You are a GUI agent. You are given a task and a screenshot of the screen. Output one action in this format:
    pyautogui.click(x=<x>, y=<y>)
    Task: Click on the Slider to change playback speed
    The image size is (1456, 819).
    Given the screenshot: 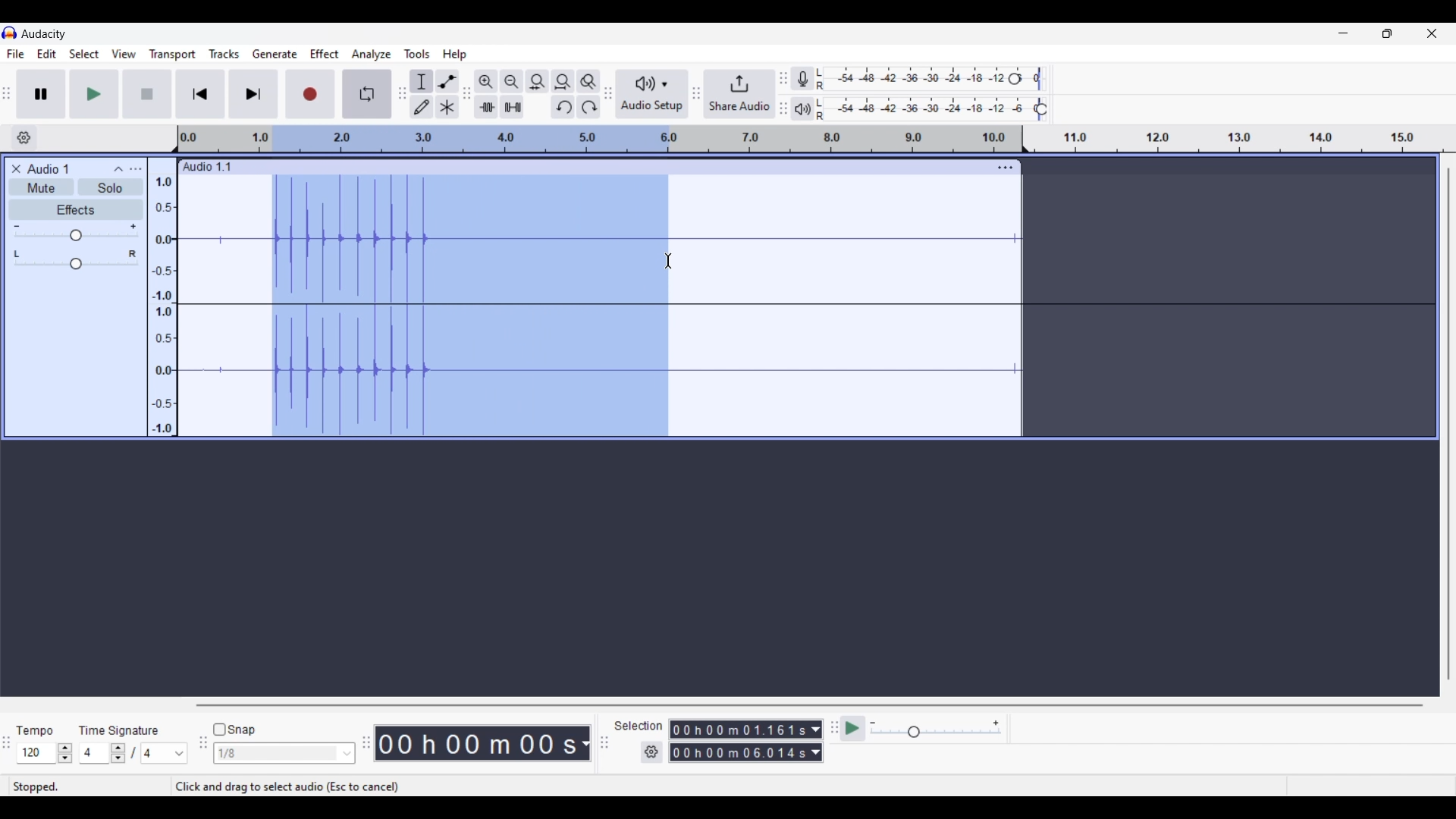 What is the action you would take?
    pyautogui.click(x=936, y=733)
    